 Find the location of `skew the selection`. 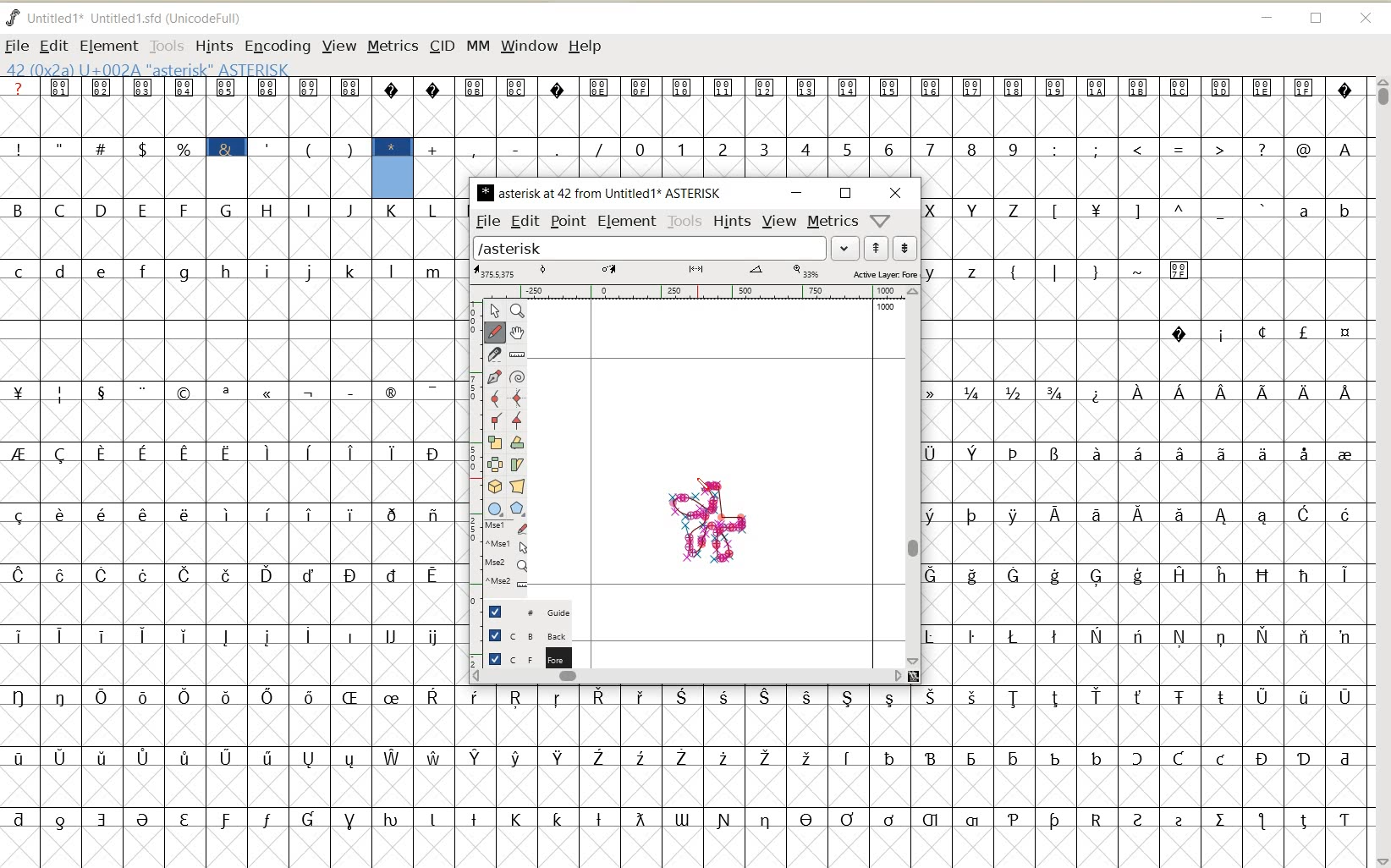

skew the selection is located at coordinates (517, 464).